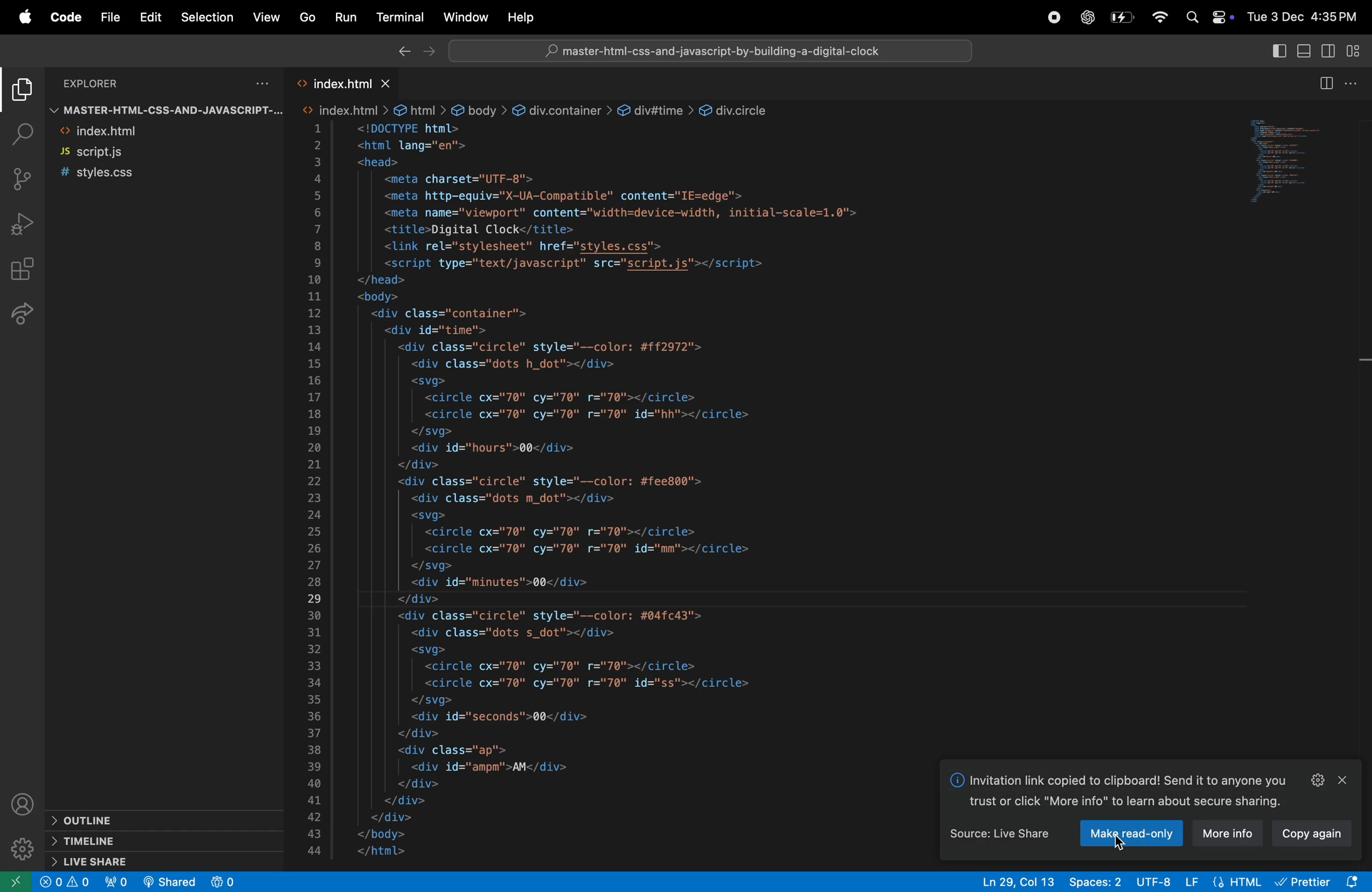  I want to click on people added, so click(228, 882).